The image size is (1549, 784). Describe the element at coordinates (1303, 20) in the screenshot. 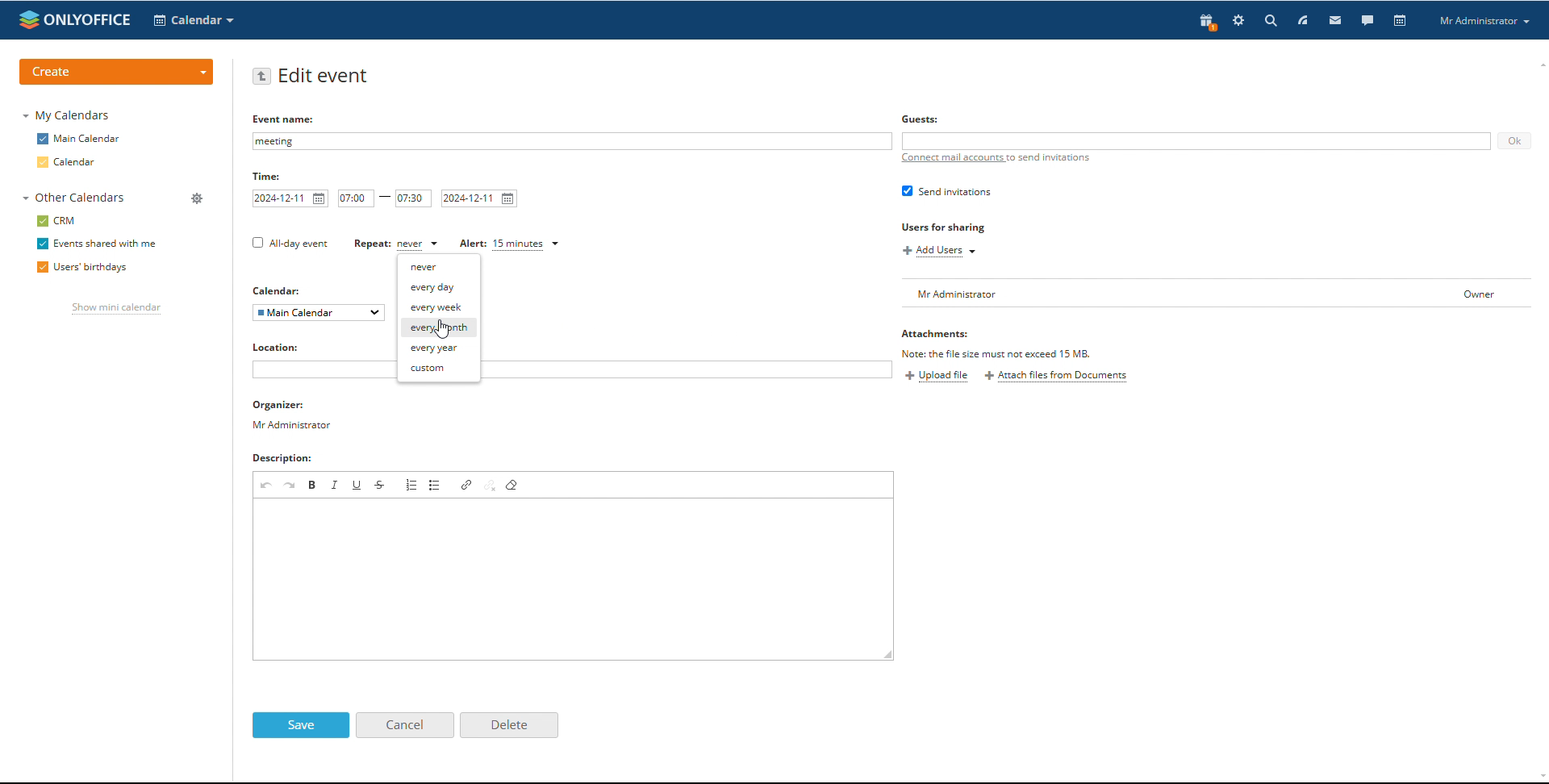

I see `feed` at that location.